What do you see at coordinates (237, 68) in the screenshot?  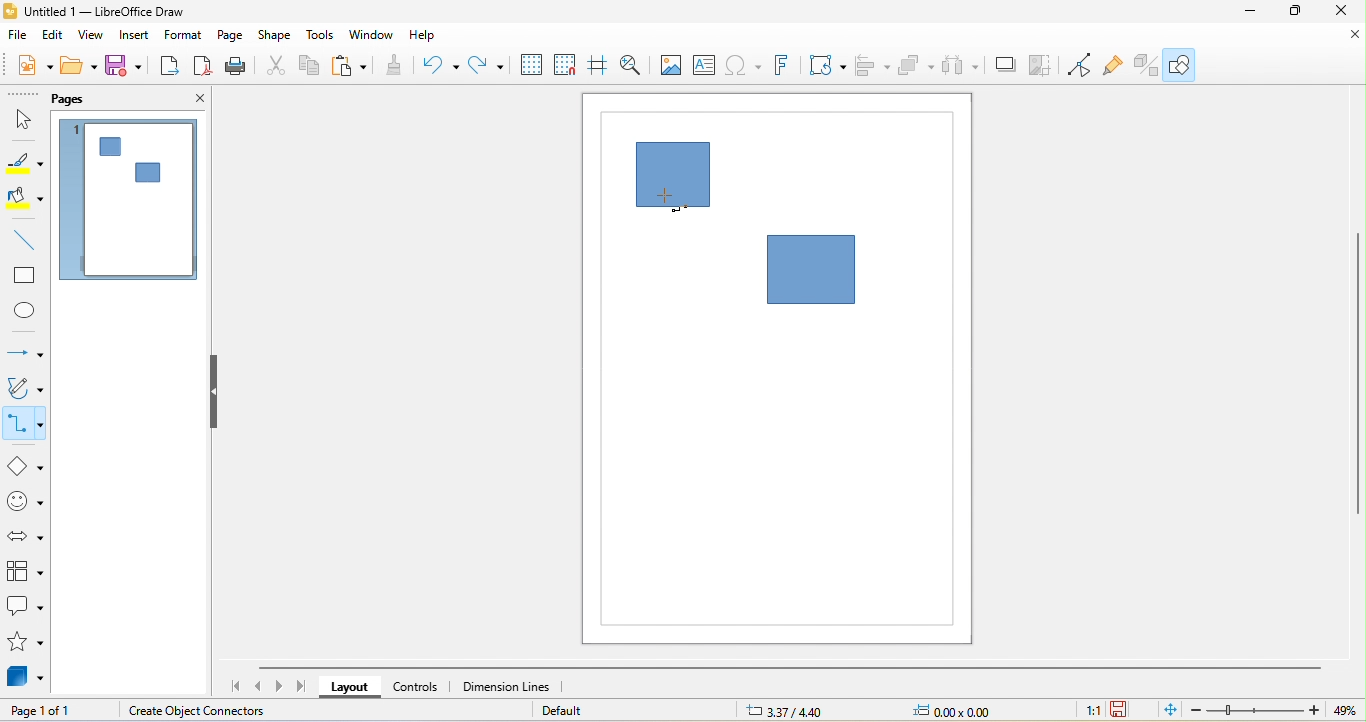 I see `print` at bounding box center [237, 68].